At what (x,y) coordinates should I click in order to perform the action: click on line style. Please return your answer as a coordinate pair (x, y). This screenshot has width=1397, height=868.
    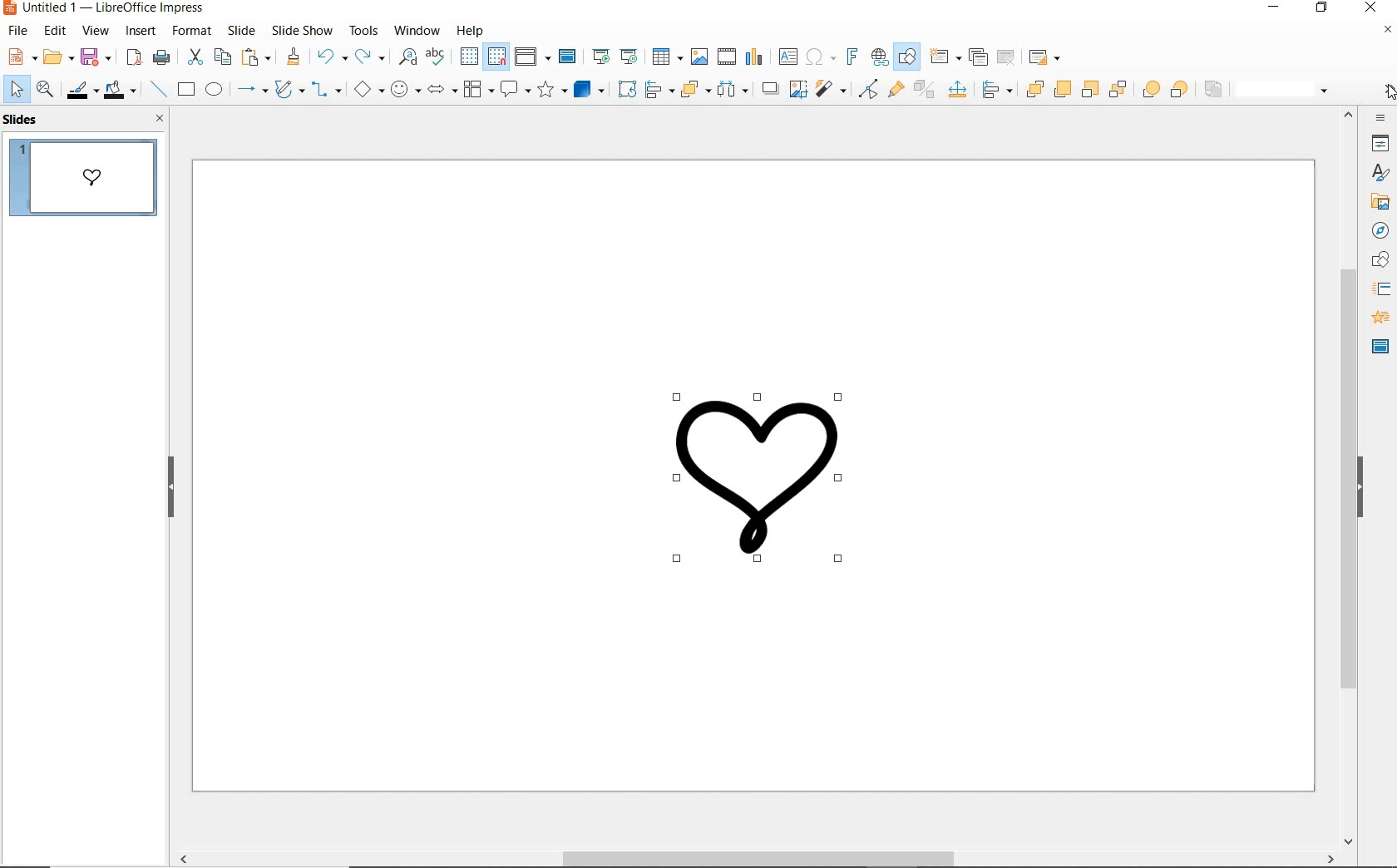
    Looking at the image, I should click on (1286, 91).